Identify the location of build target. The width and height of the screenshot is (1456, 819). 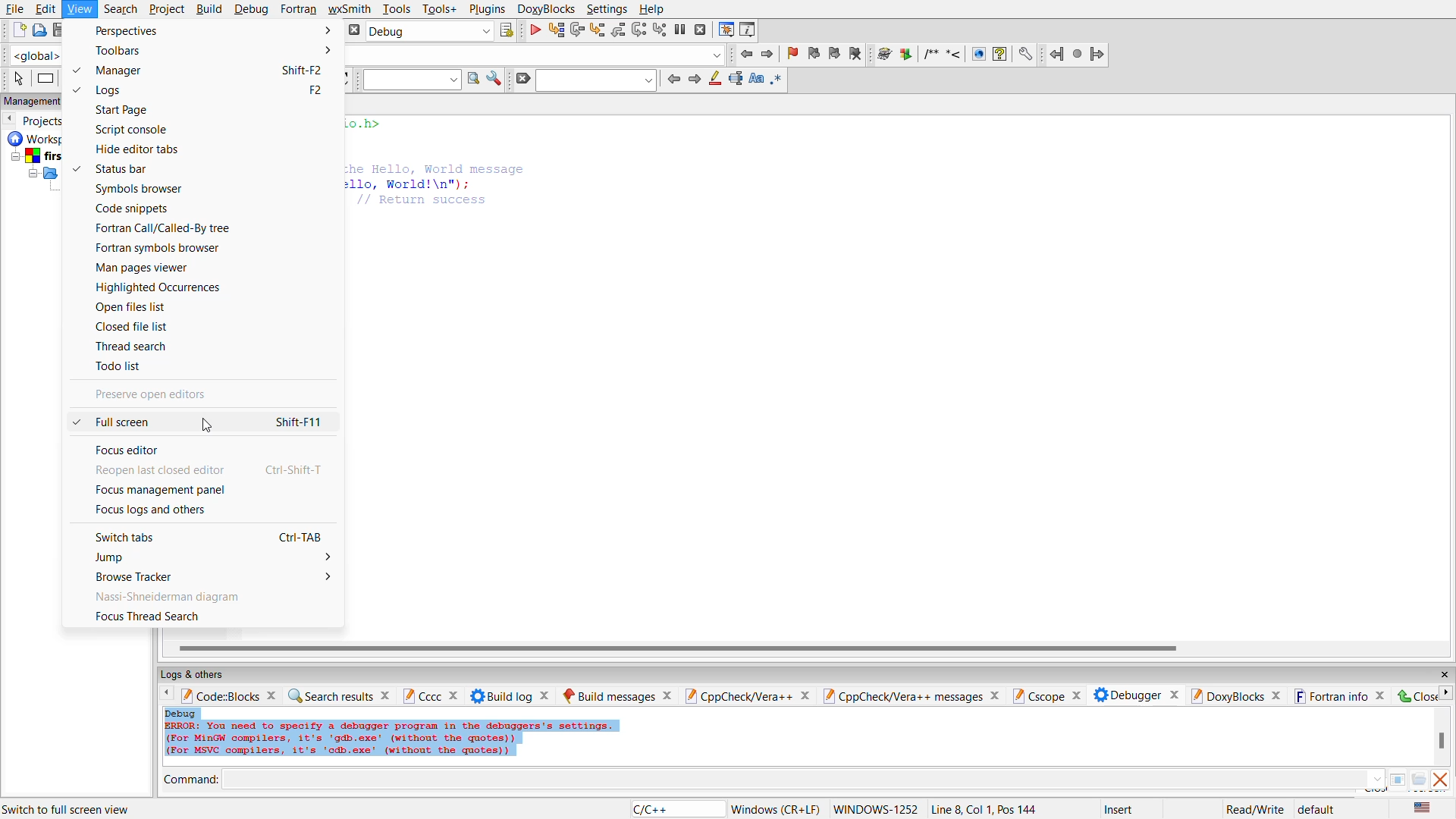
(430, 32).